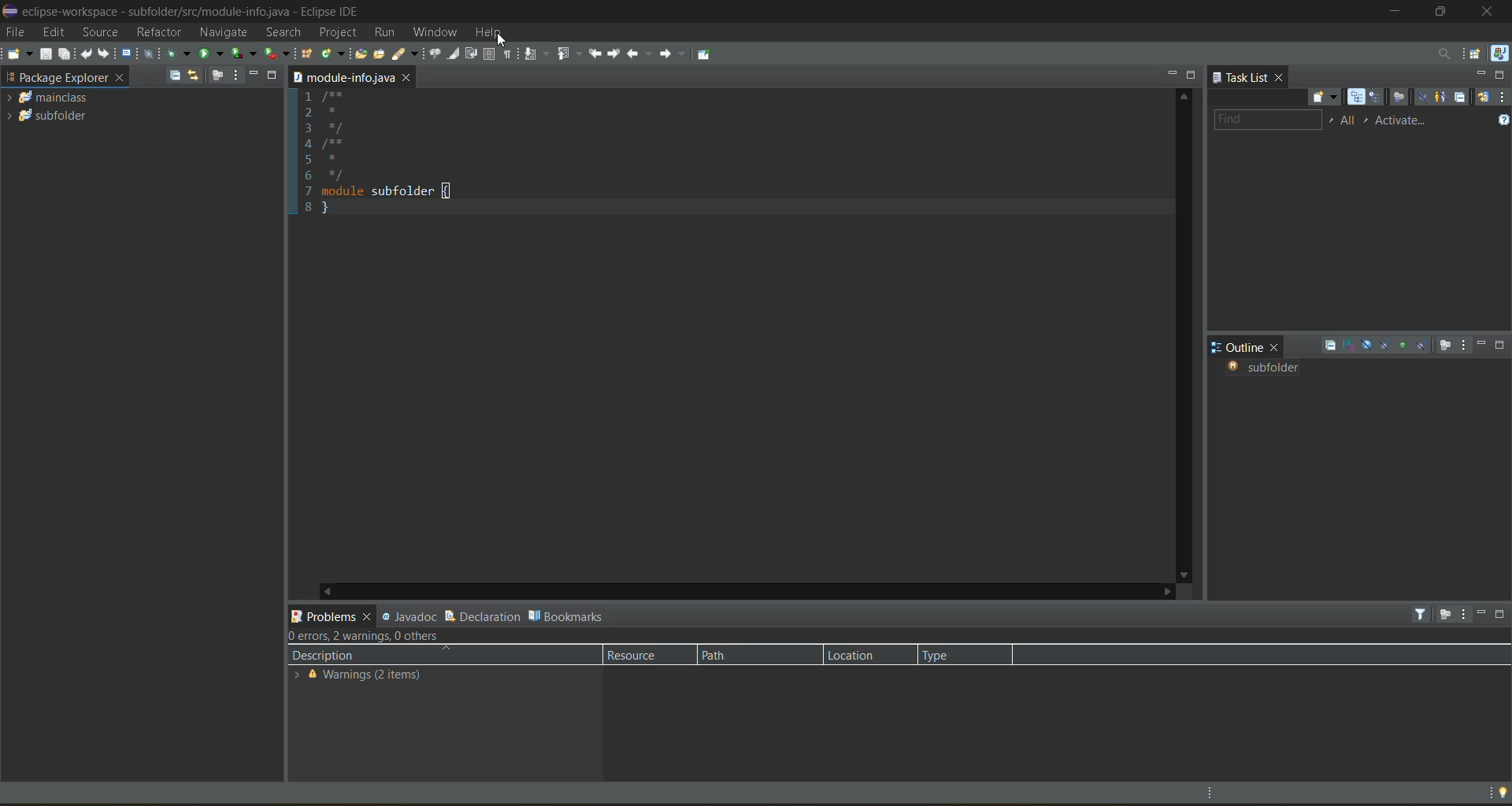 The height and width of the screenshot is (806, 1512). What do you see at coordinates (1369, 120) in the screenshot?
I see `show active tasks` at bounding box center [1369, 120].